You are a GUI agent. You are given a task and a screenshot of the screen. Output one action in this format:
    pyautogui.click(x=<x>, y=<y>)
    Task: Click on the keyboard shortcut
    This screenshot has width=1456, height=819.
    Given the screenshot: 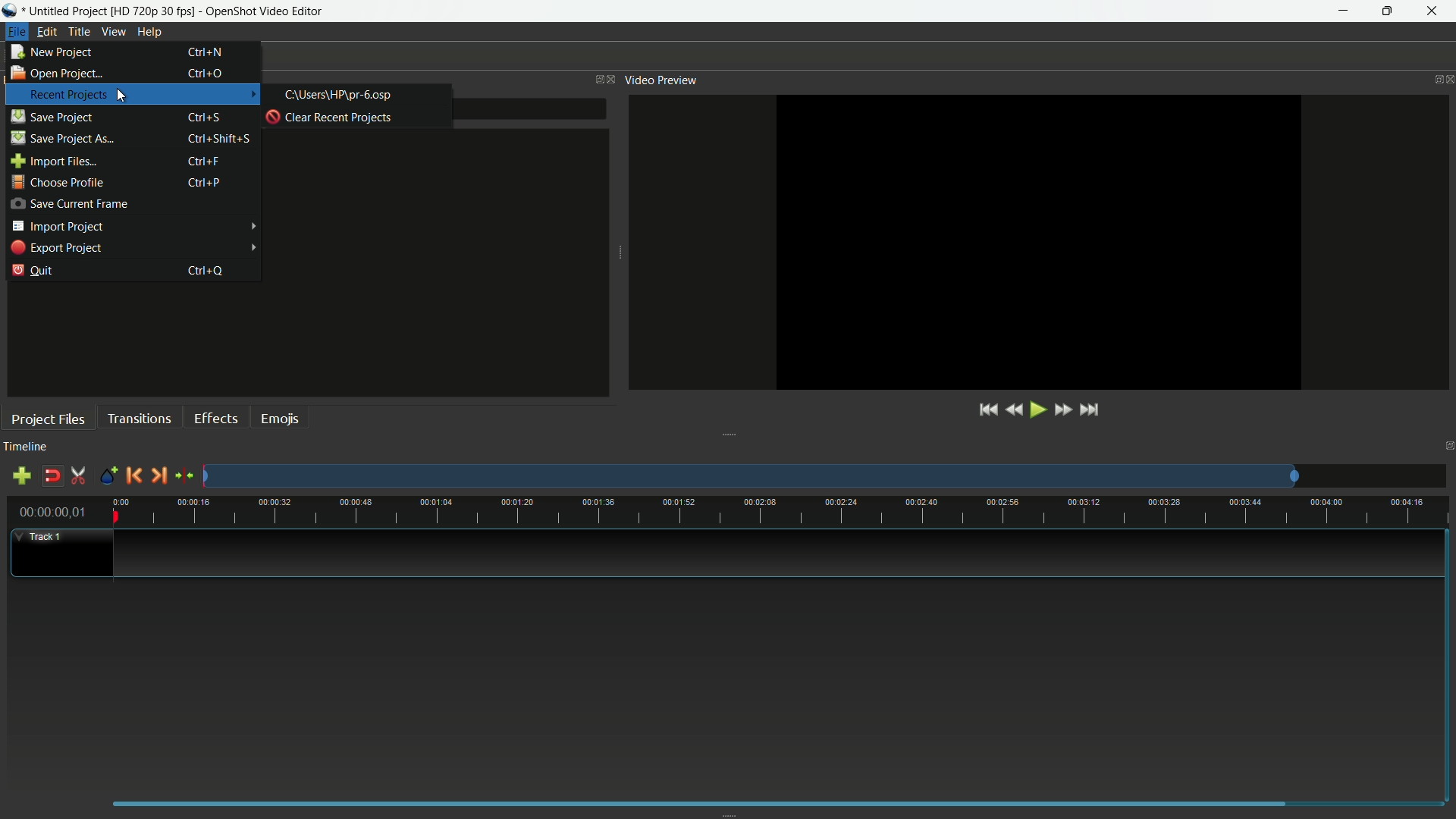 What is the action you would take?
    pyautogui.click(x=219, y=139)
    